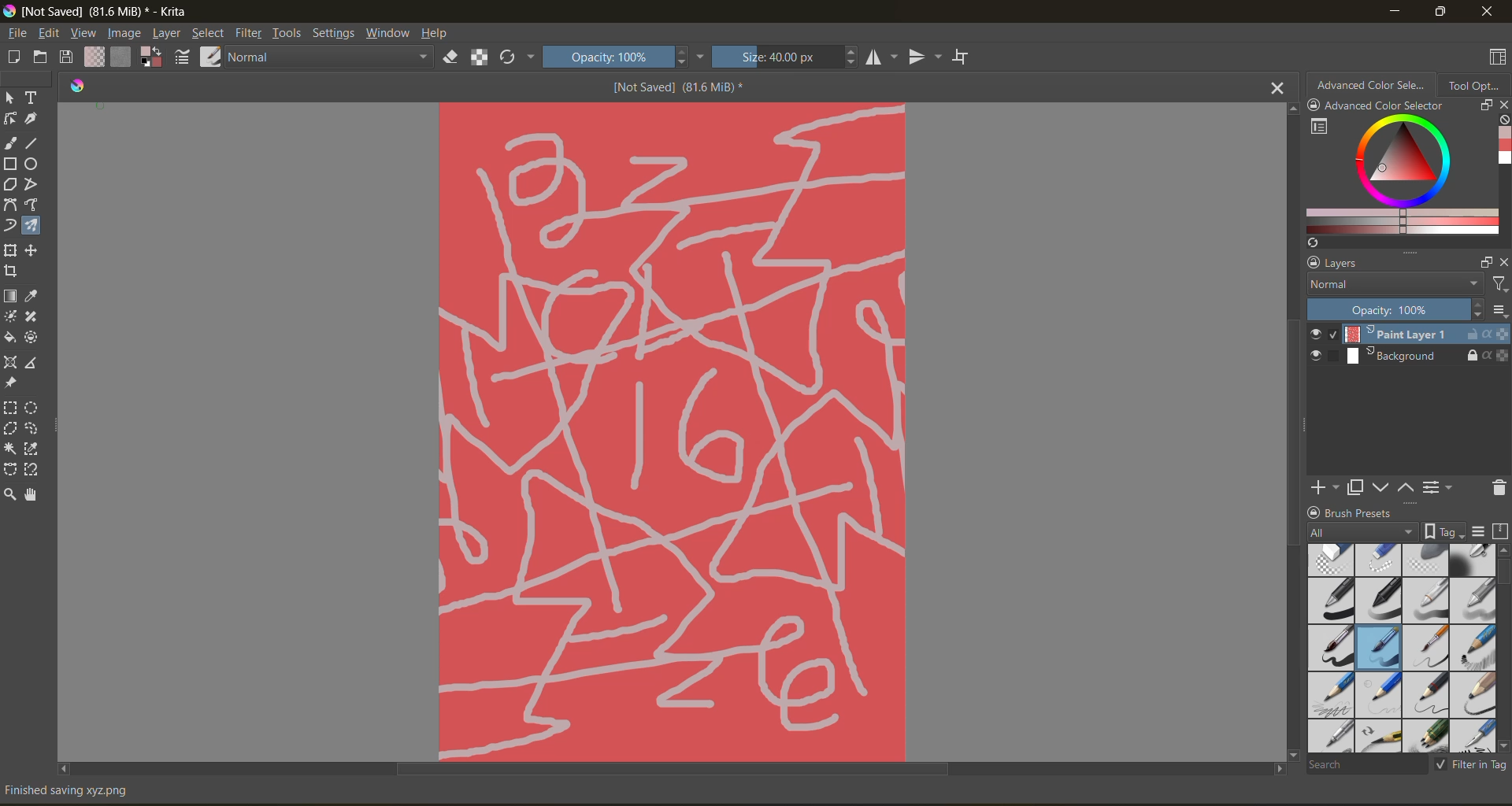 This screenshot has height=806, width=1512. I want to click on search, so click(1366, 763).